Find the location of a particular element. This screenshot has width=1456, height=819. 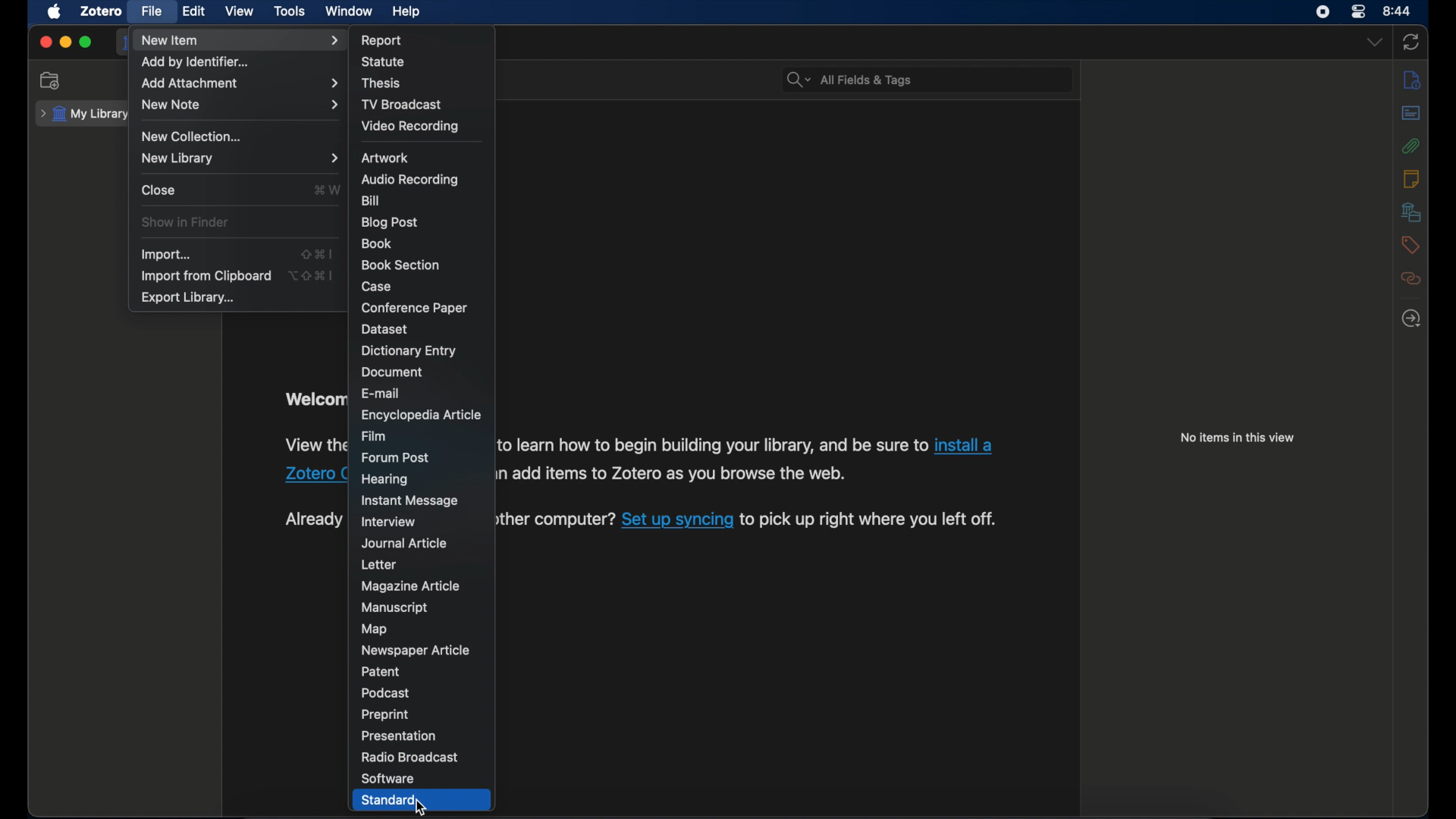

new collection is located at coordinates (196, 136).